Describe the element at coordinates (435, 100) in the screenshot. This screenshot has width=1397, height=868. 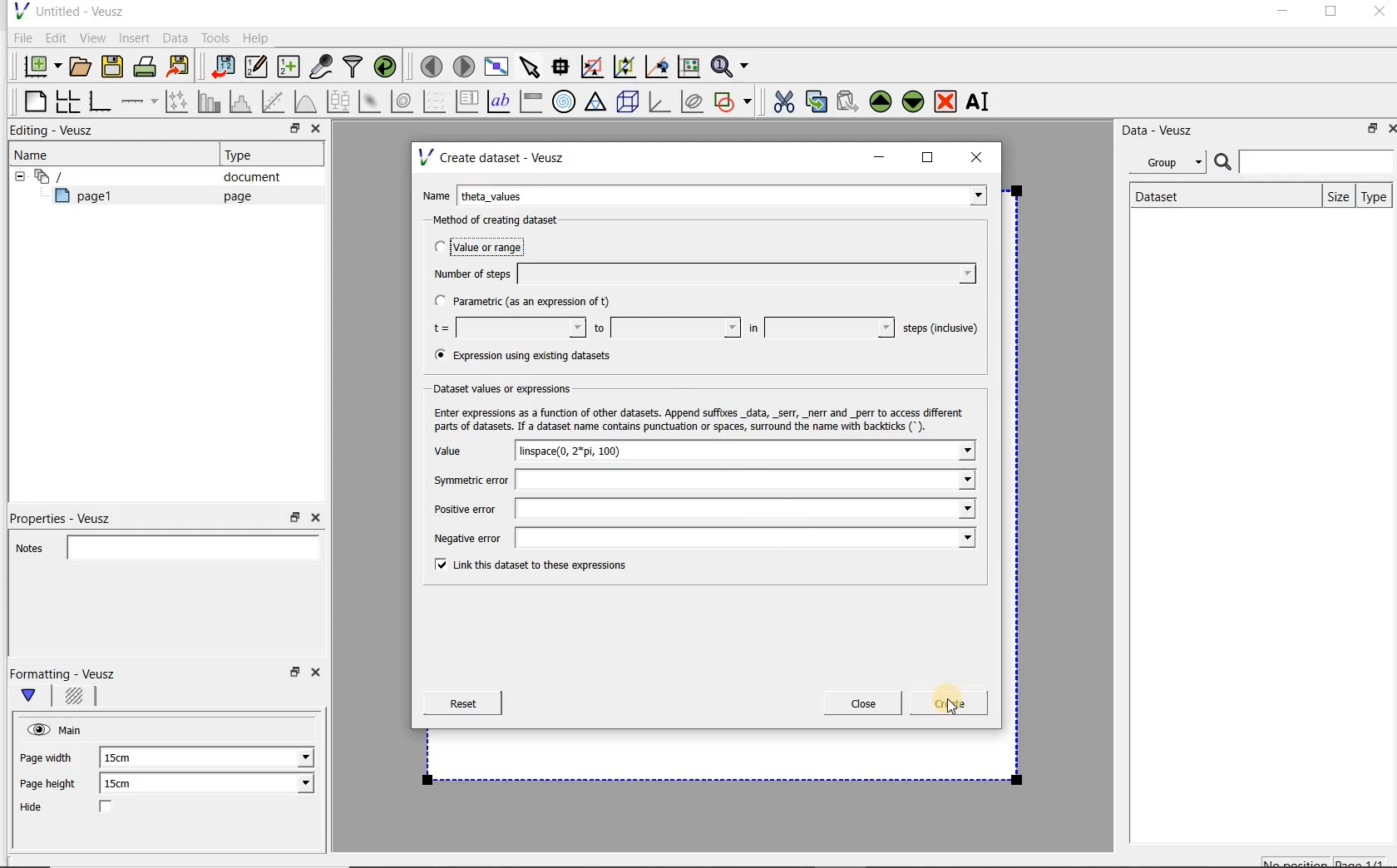
I see `plot a vector field` at that location.